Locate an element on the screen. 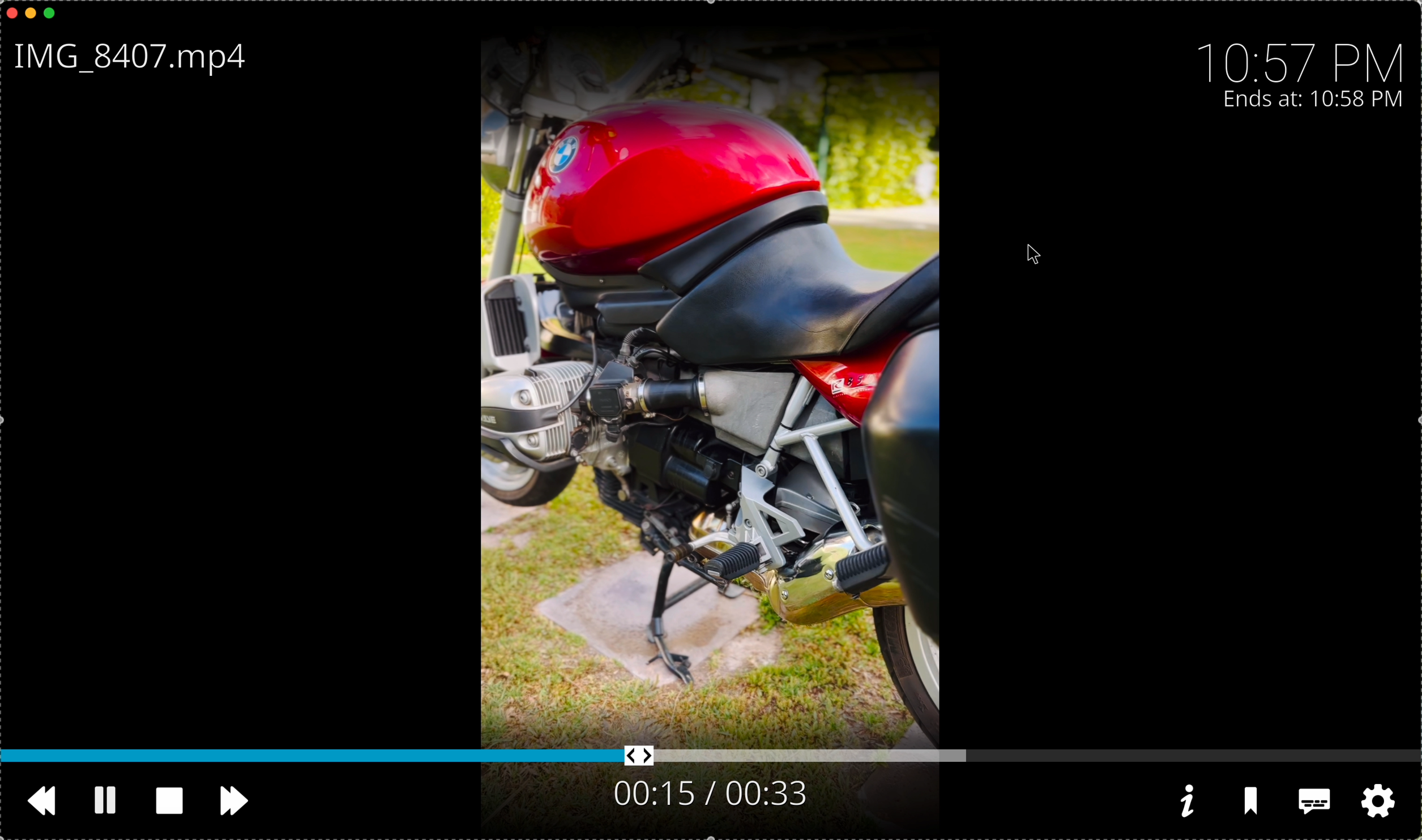 The image size is (1422, 840). subtitles is located at coordinates (1312, 803).